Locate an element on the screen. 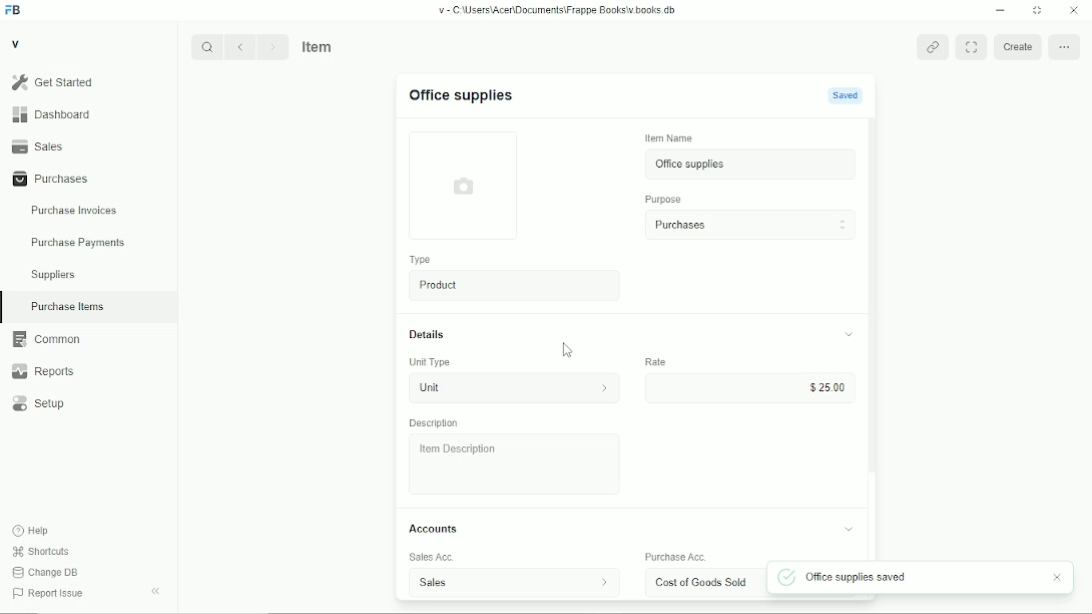 The height and width of the screenshot is (614, 1092). change DB is located at coordinates (45, 572).